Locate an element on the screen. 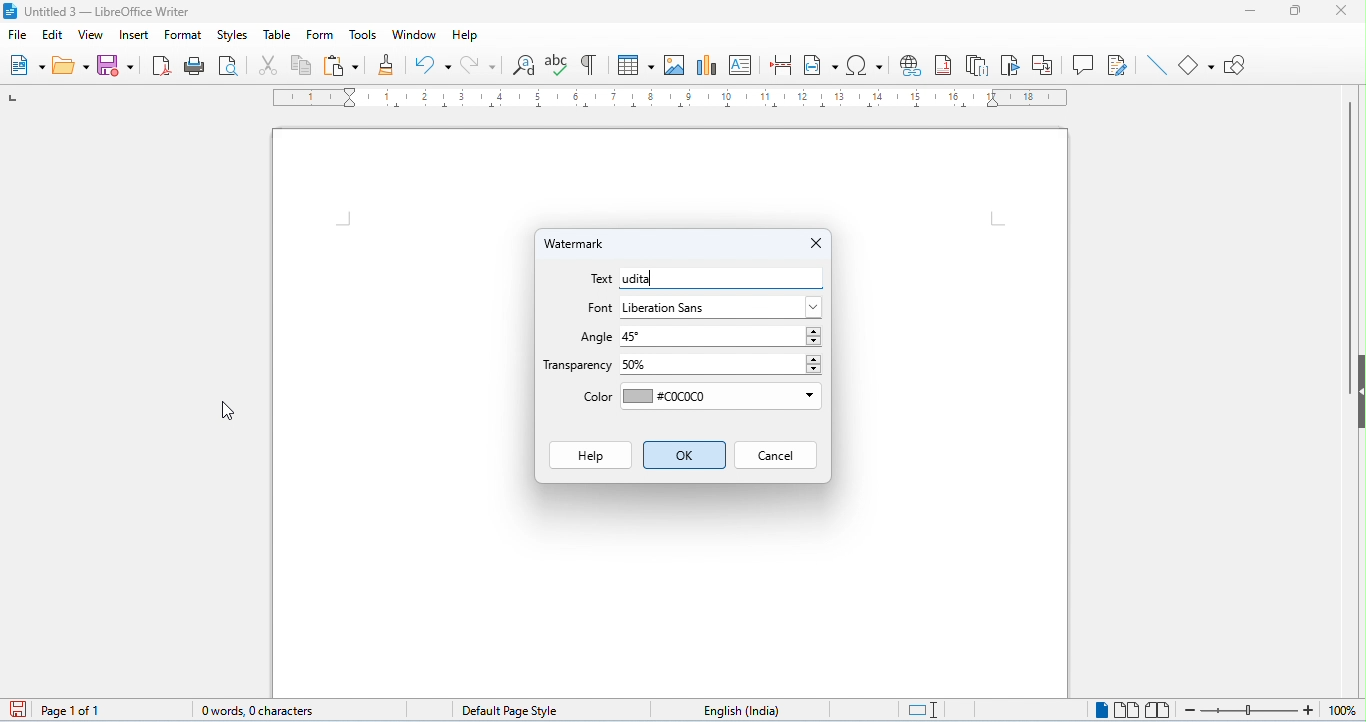 The image size is (1366, 722). maximize is located at coordinates (1290, 11).